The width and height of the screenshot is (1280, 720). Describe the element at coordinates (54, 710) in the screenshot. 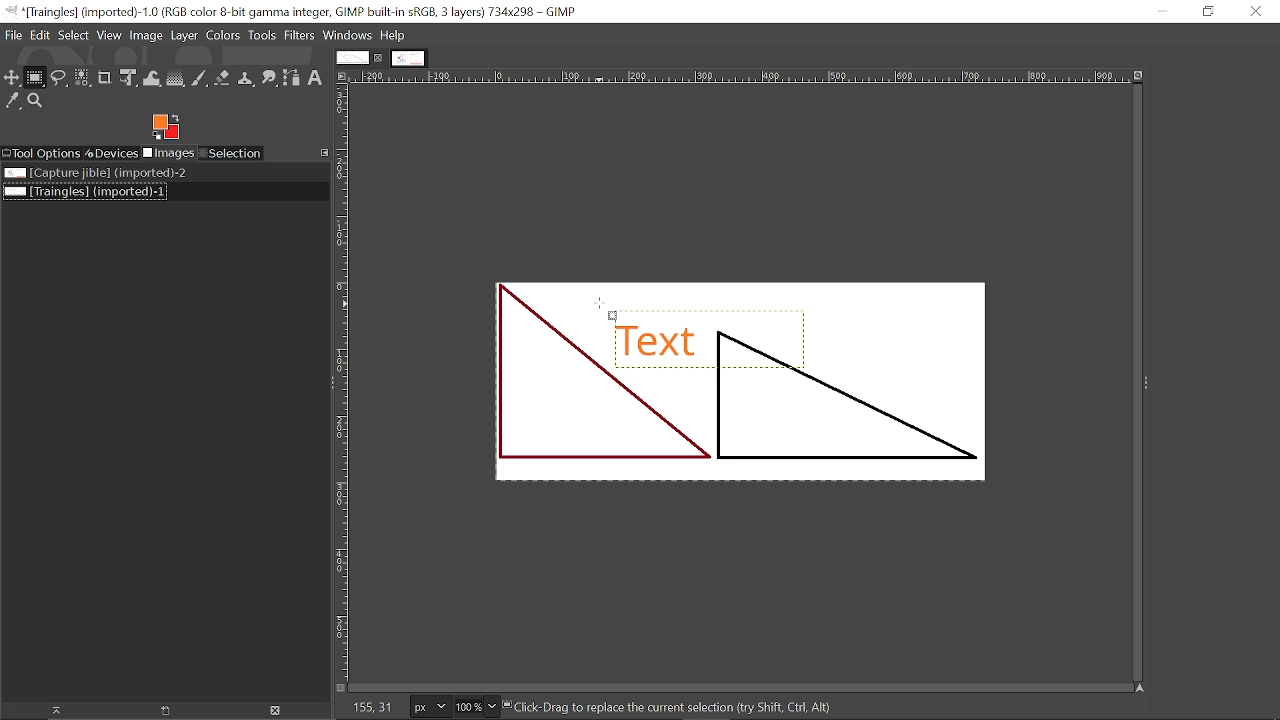

I see `Raise this image display` at that location.